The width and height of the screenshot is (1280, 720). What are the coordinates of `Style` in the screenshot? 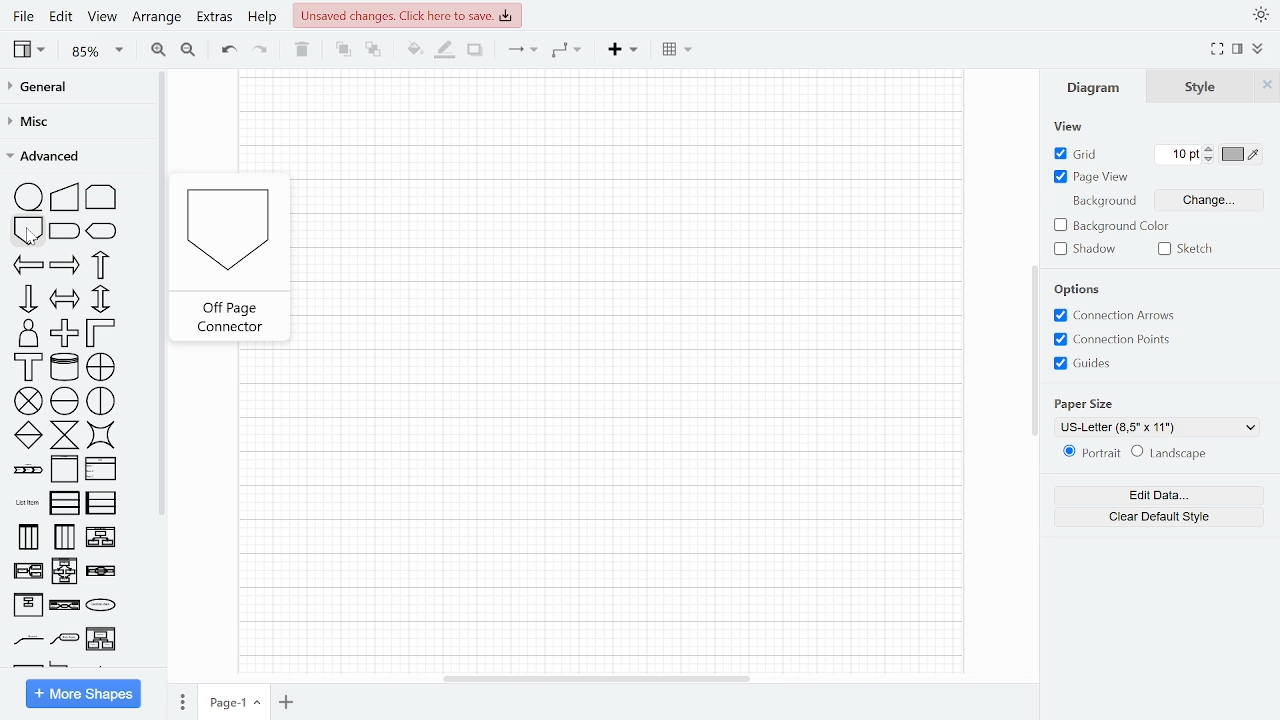 It's located at (1202, 86).